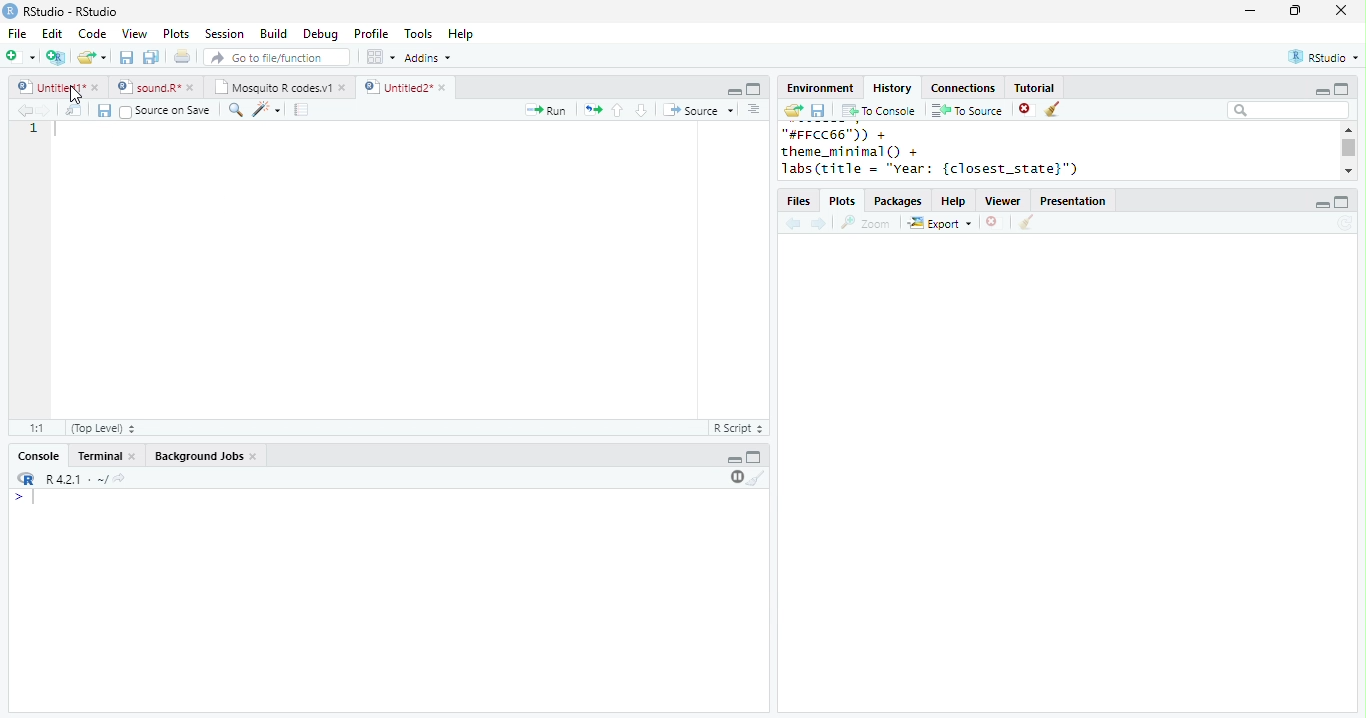  What do you see at coordinates (898, 202) in the screenshot?
I see `Packages` at bounding box center [898, 202].